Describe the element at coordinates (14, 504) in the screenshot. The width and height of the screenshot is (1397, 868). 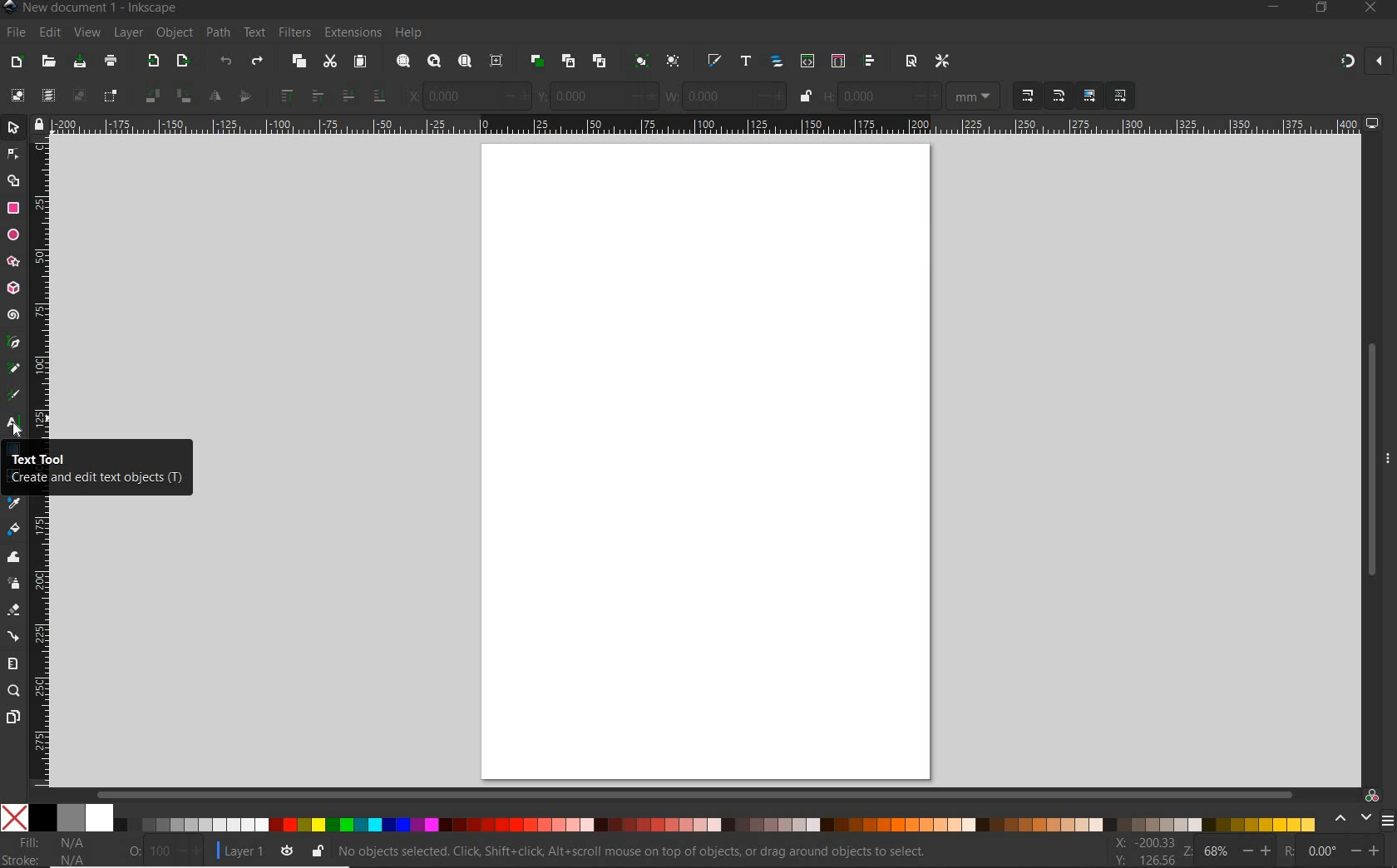
I see `dropper tool` at that location.